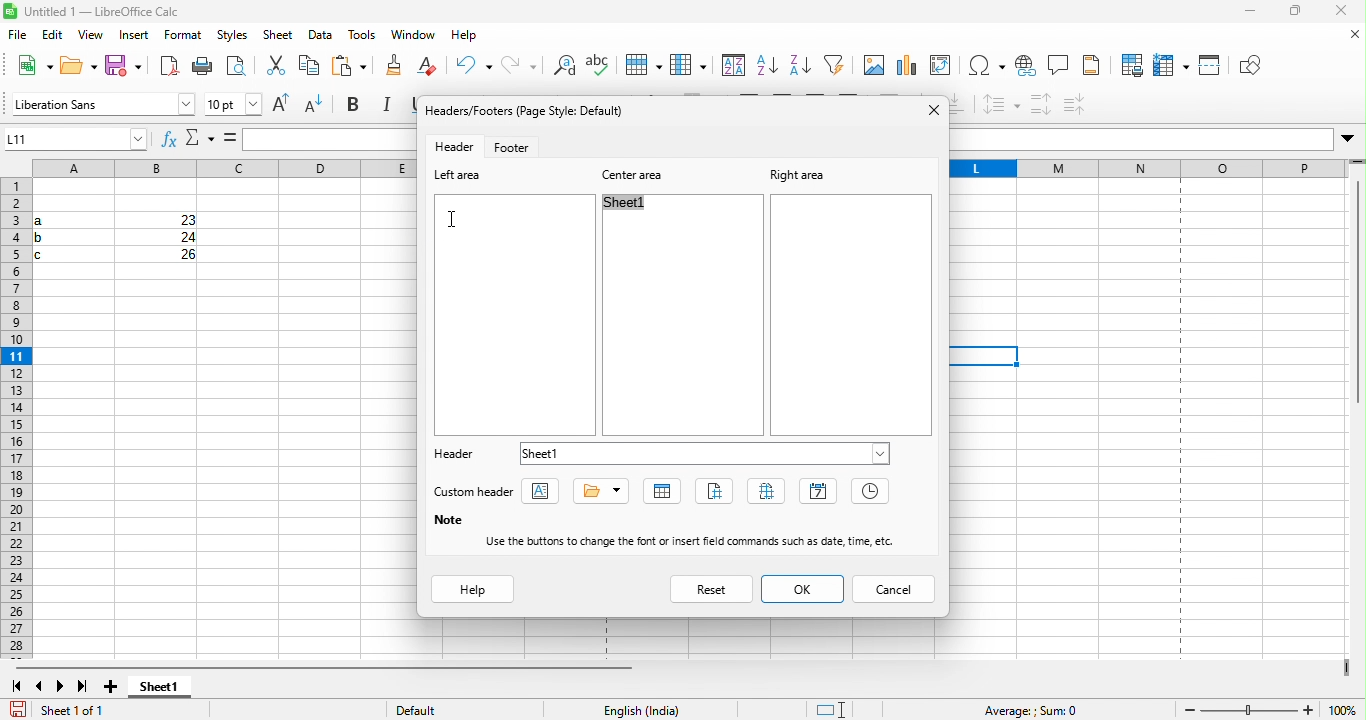 The image size is (1366, 720). Describe the element at coordinates (454, 456) in the screenshot. I see `header` at that location.